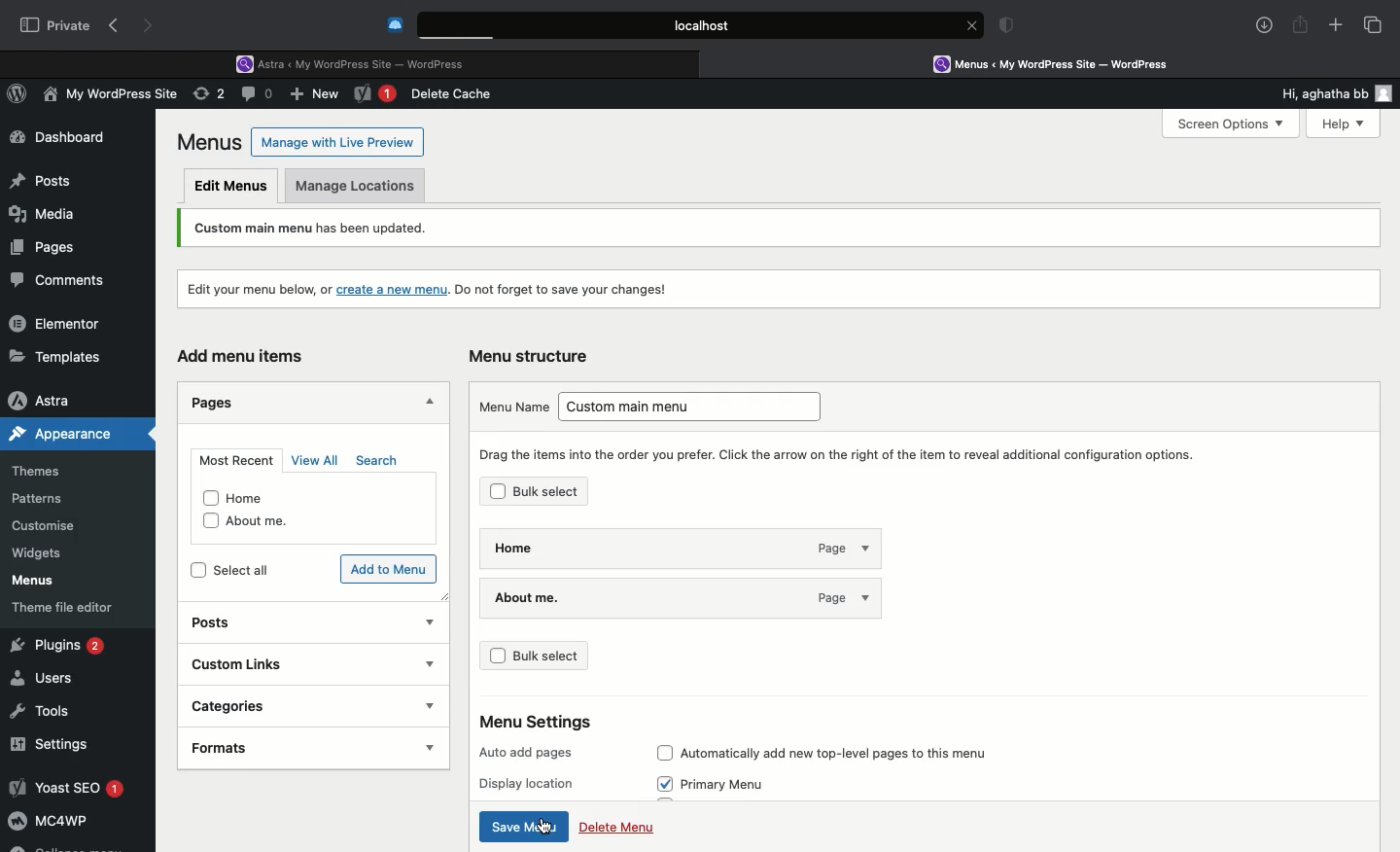  What do you see at coordinates (1301, 25) in the screenshot?
I see `Share` at bounding box center [1301, 25].